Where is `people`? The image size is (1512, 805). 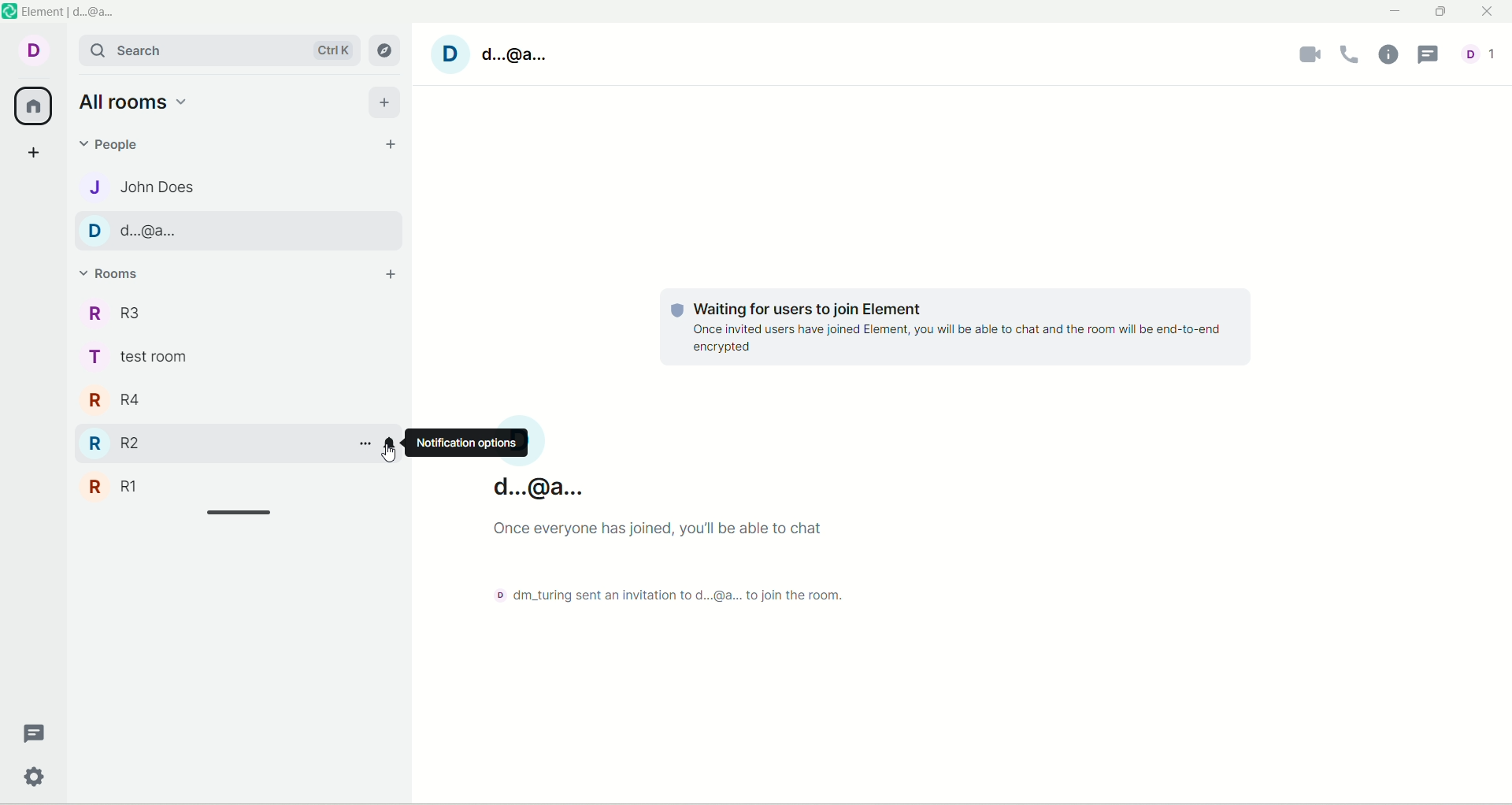
people is located at coordinates (146, 184).